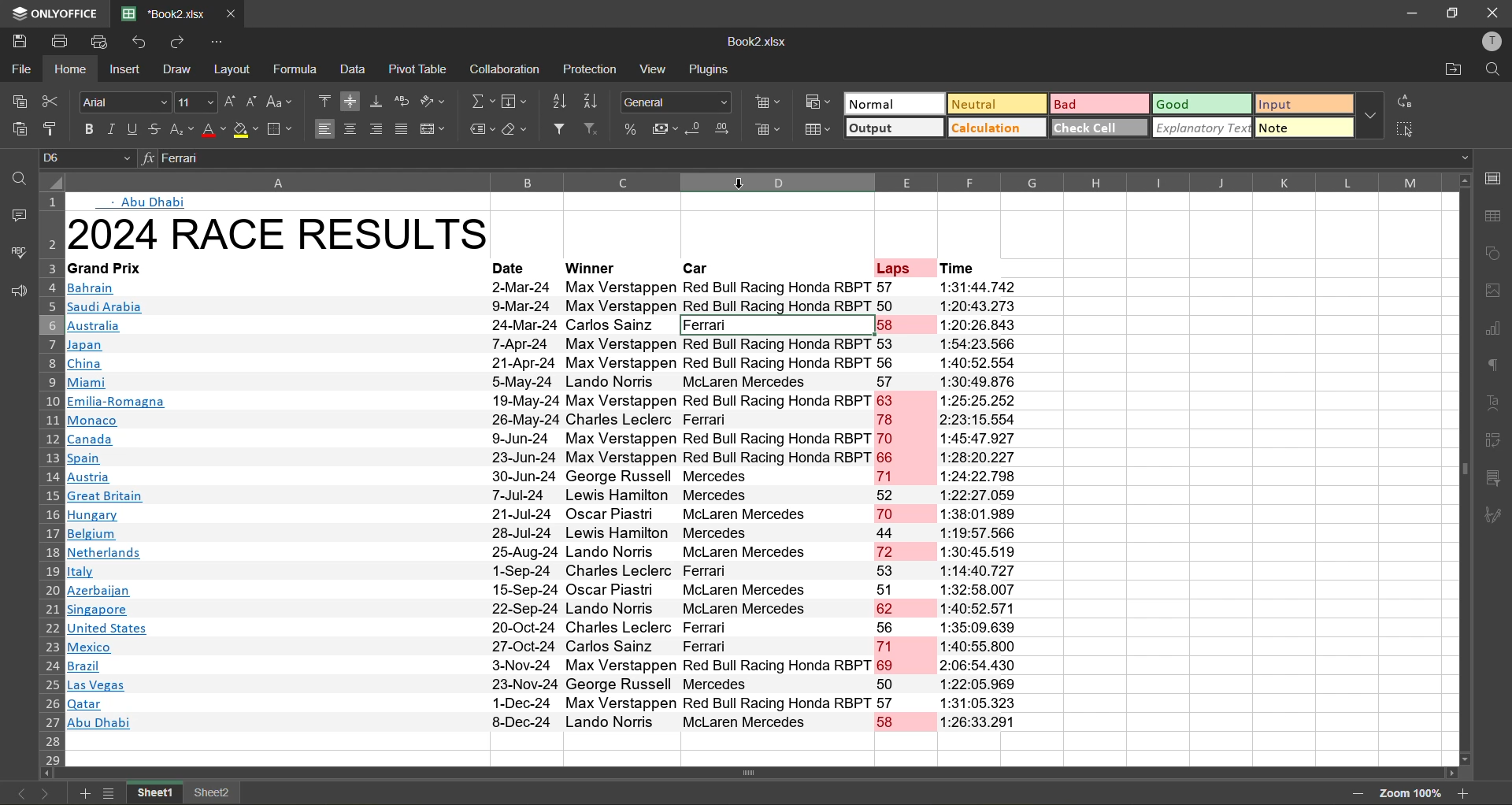 Image resolution: width=1512 pixels, height=805 pixels. I want to click on font color, so click(213, 130).